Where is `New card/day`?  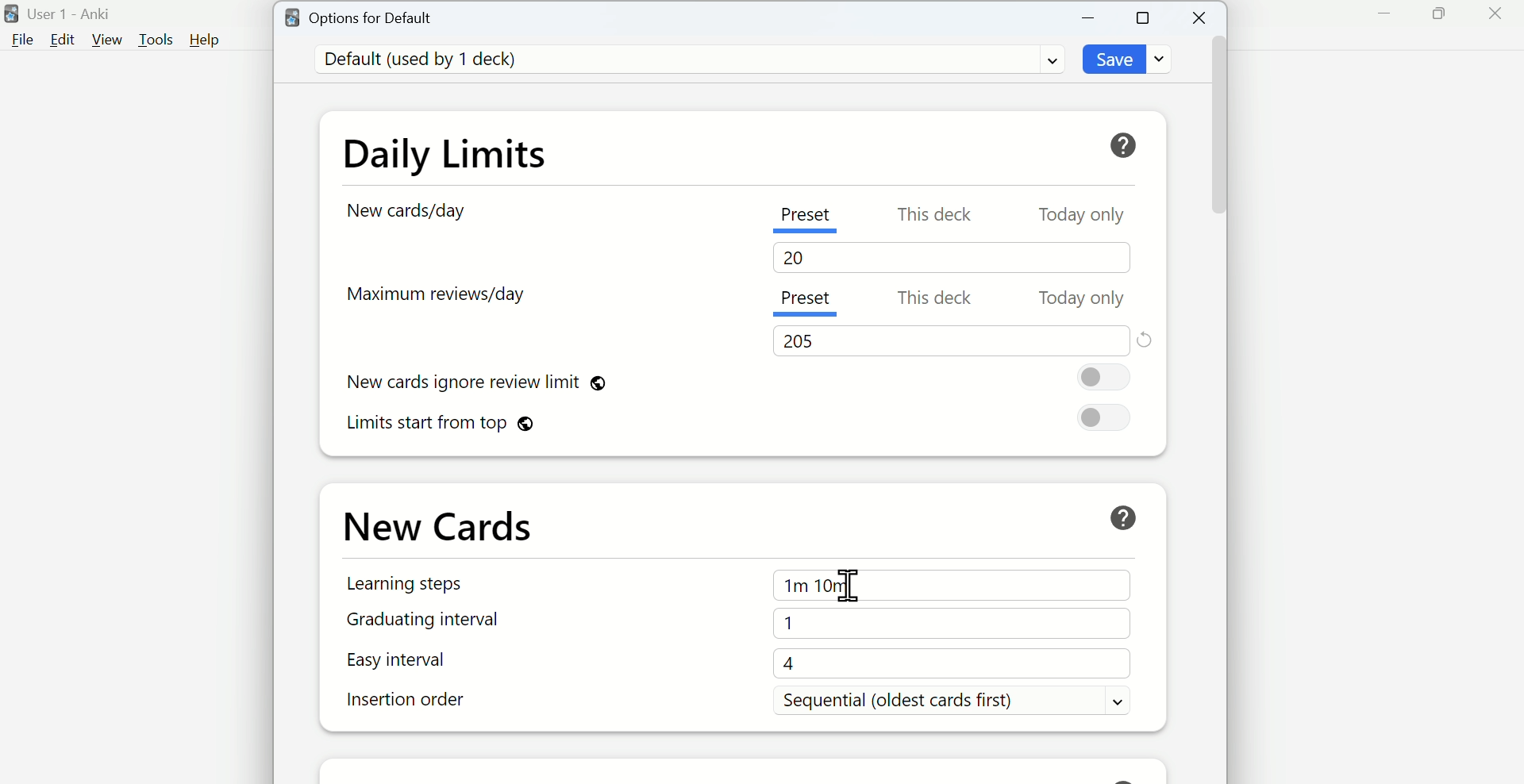 New card/day is located at coordinates (407, 211).